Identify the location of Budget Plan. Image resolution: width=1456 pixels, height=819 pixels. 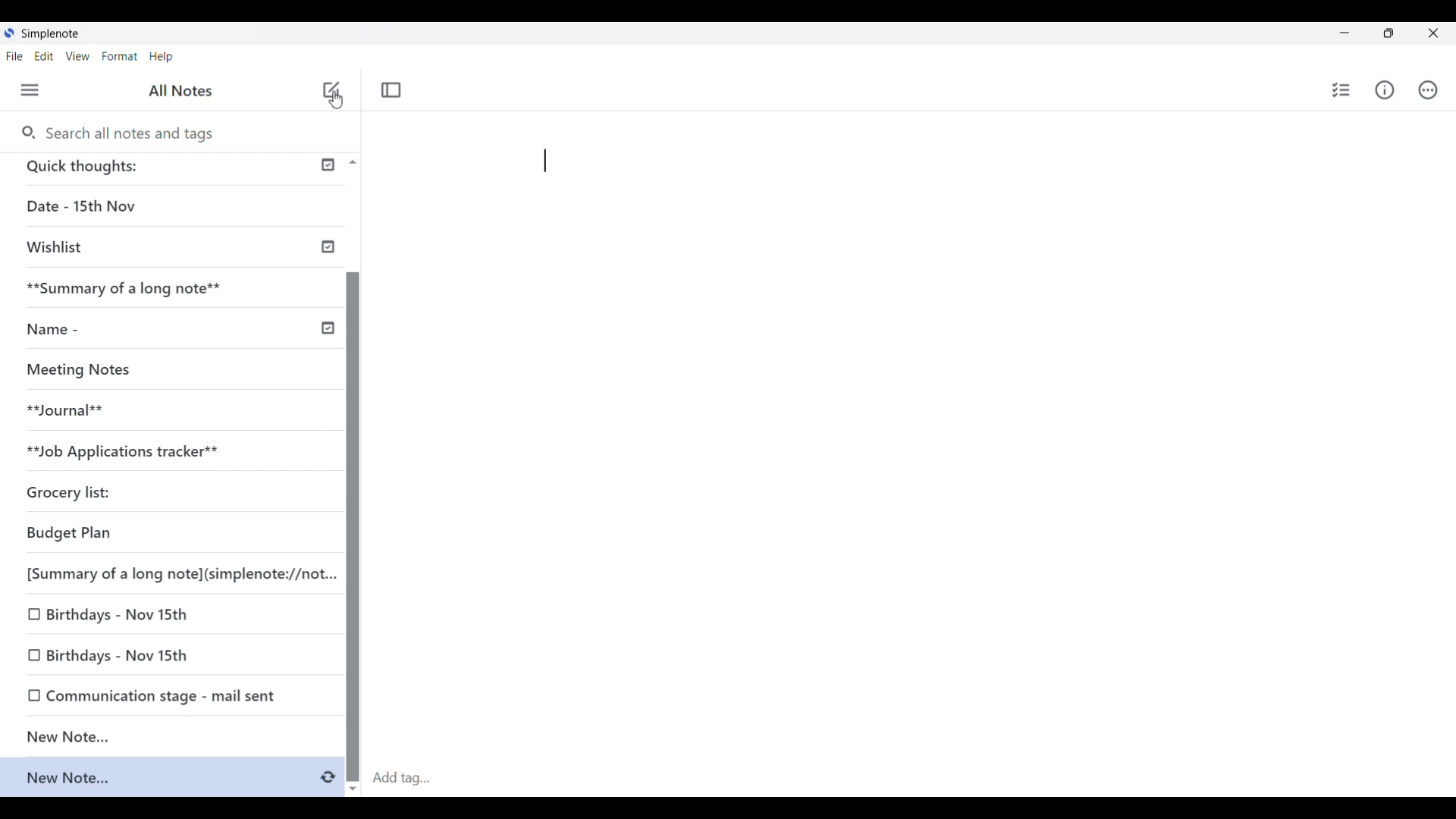
(122, 532).